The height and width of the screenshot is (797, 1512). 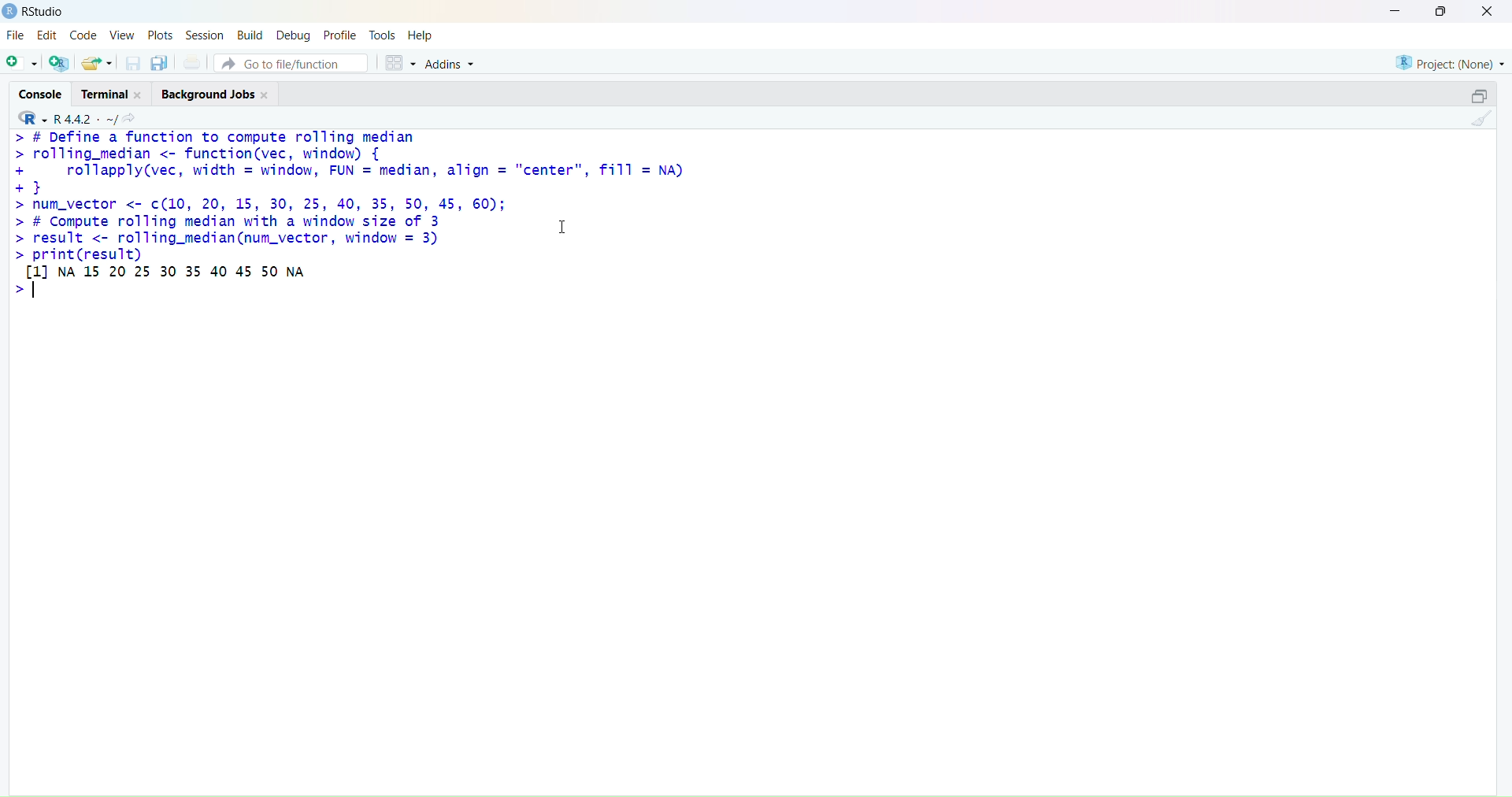 What do you see at coordinates (250, 35) in the screenshot?
I see `build` at bounding box center [250, 35].